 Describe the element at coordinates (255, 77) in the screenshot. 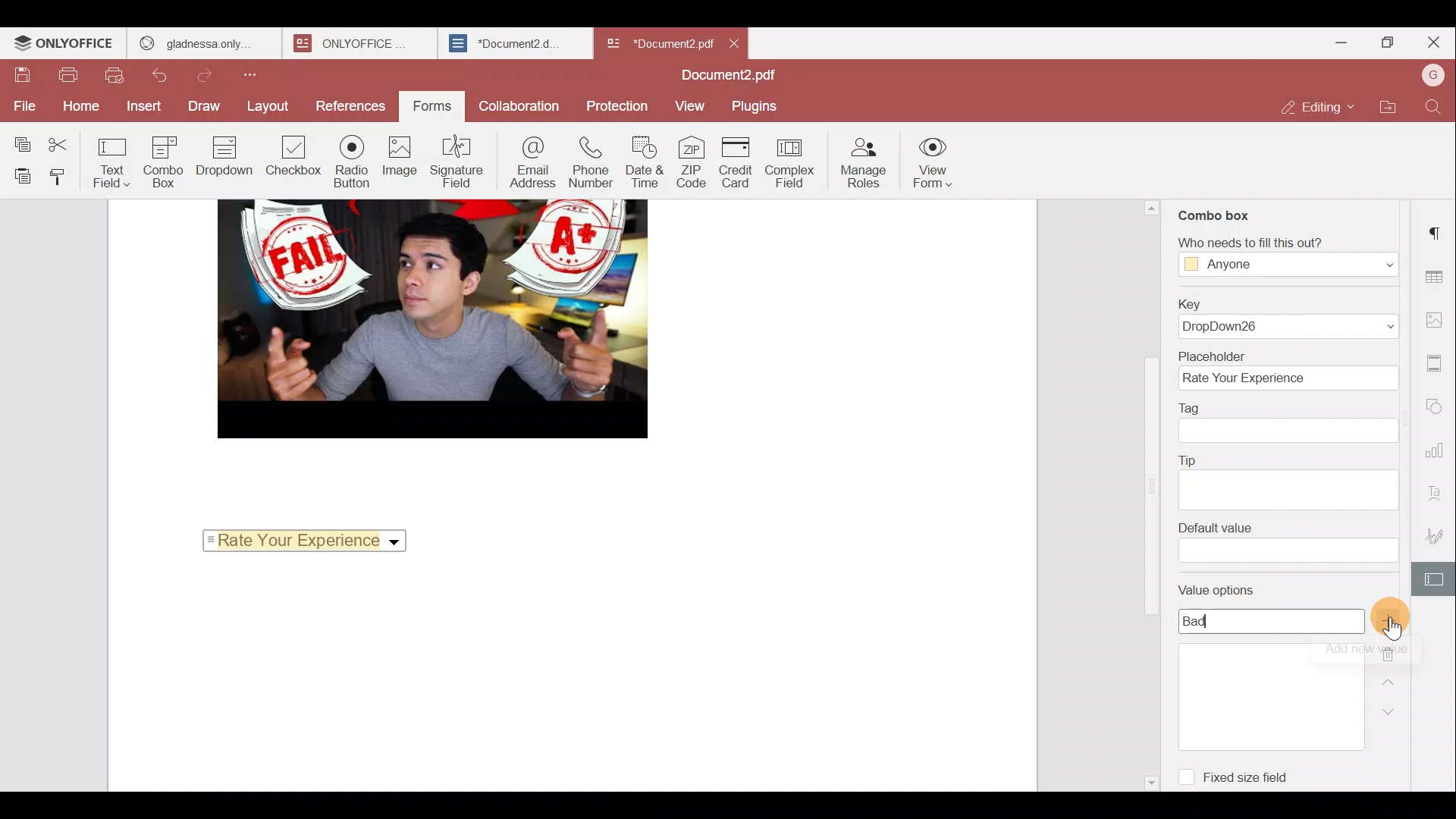

I see `Customize quick access toolbar` at that location.